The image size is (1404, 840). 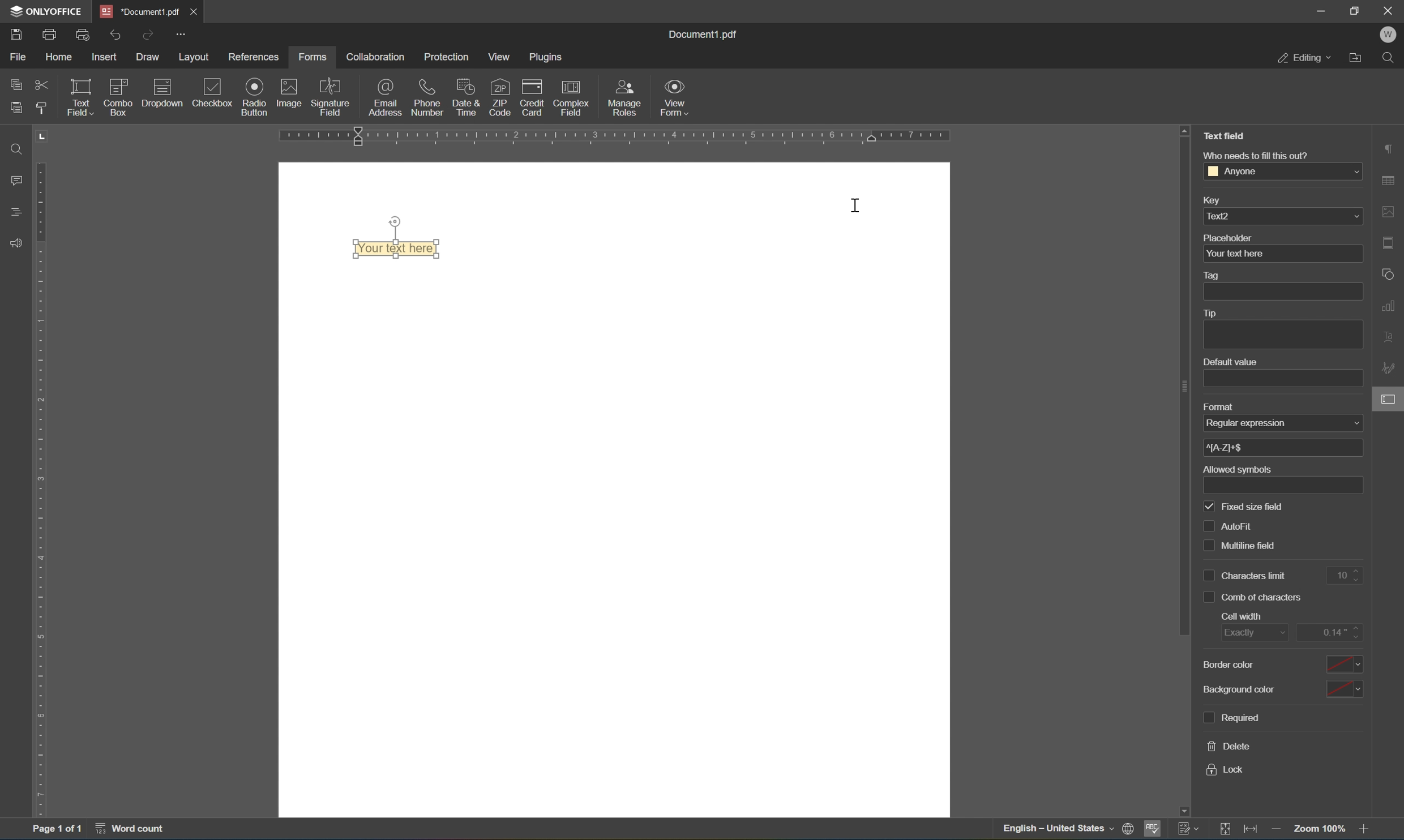 What do you see at coordinates (48, 11) in the screenshot?
I see `ONLYOFFICE` at bounding box center [48, 11].